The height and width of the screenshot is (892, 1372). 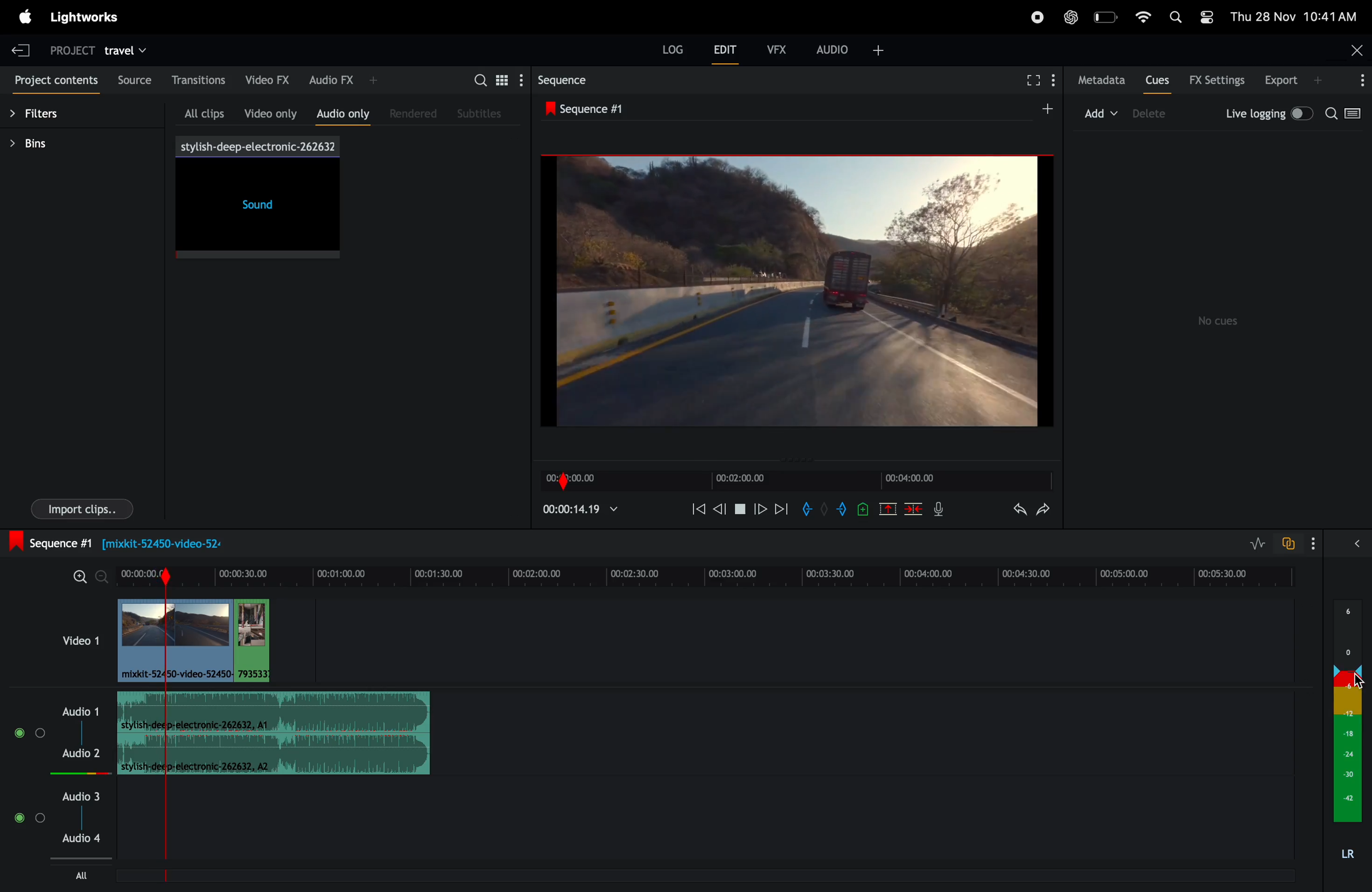 I want to click on rendered, so click(x=411, y=114).